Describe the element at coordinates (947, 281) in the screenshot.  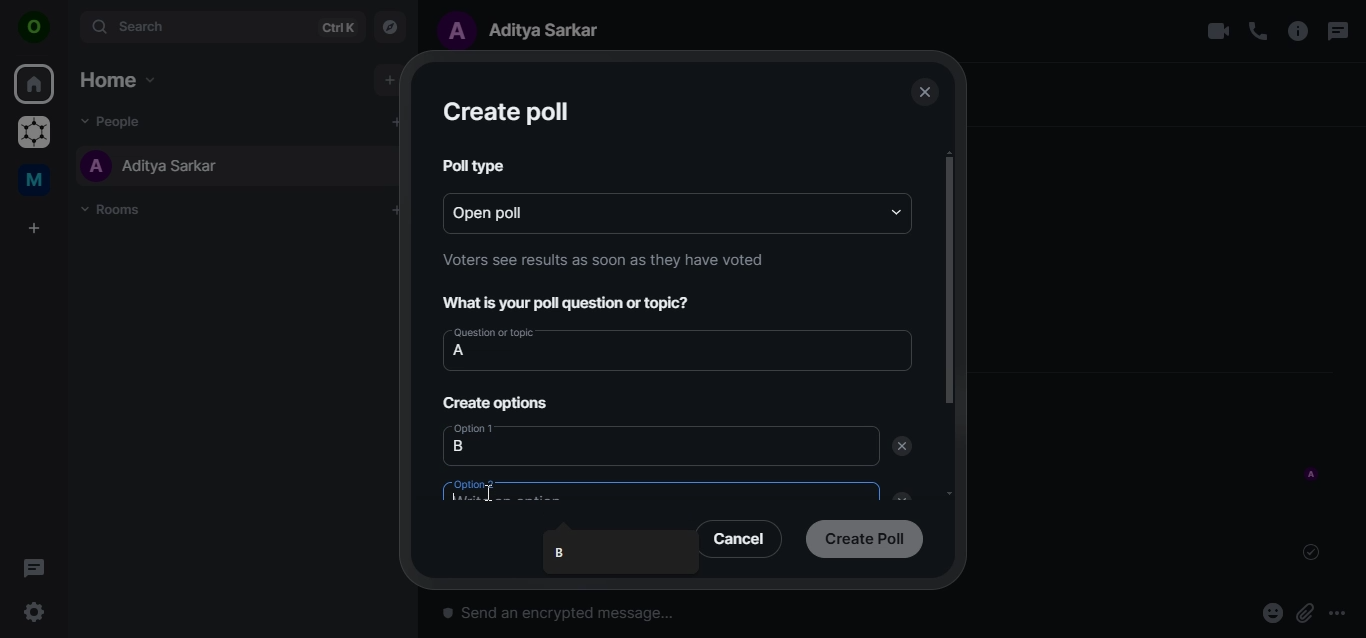
I see `scrollbar` at that location.